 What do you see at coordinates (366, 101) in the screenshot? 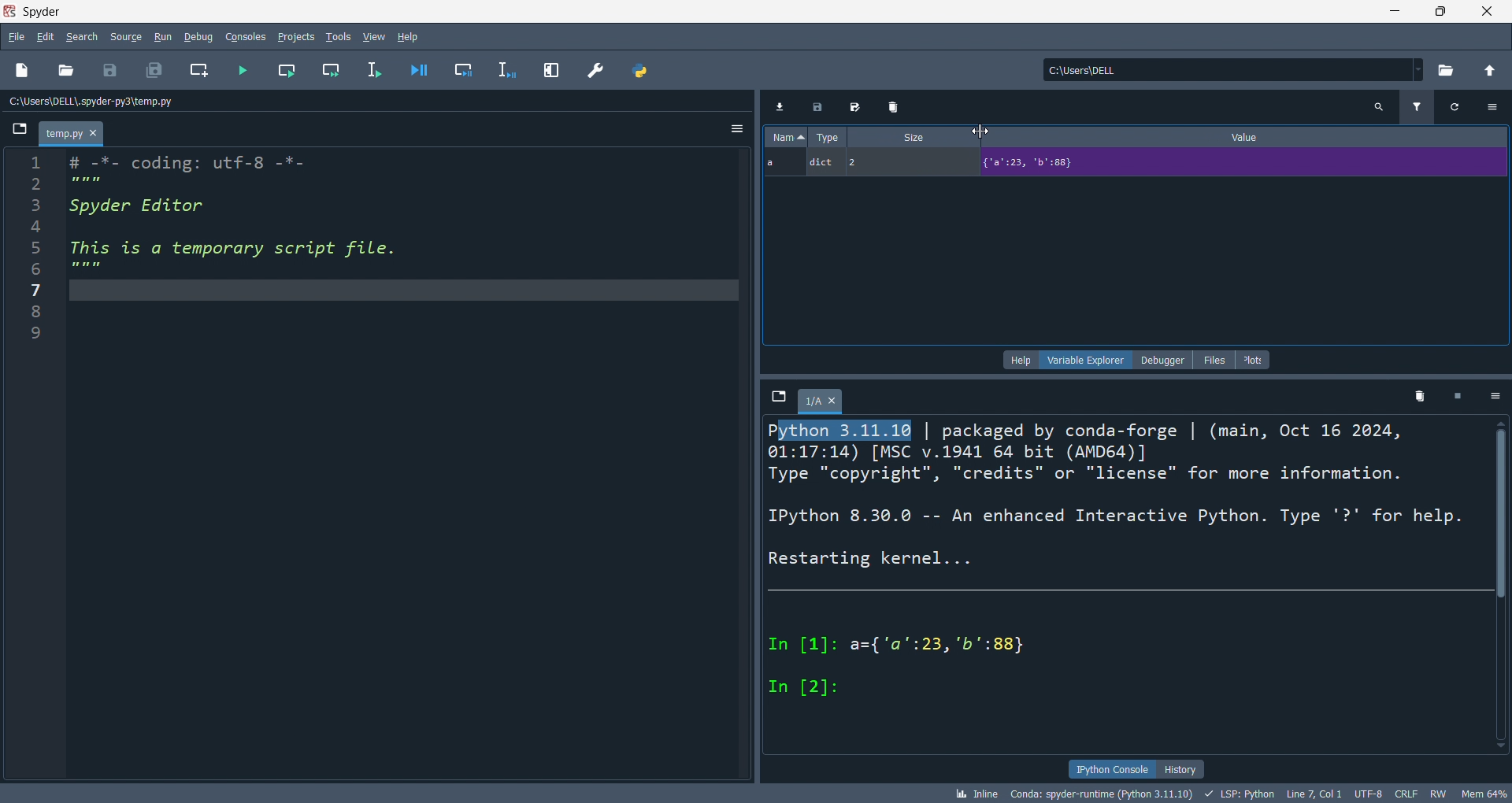
I see `file locations` at bounding box center [366, 101].